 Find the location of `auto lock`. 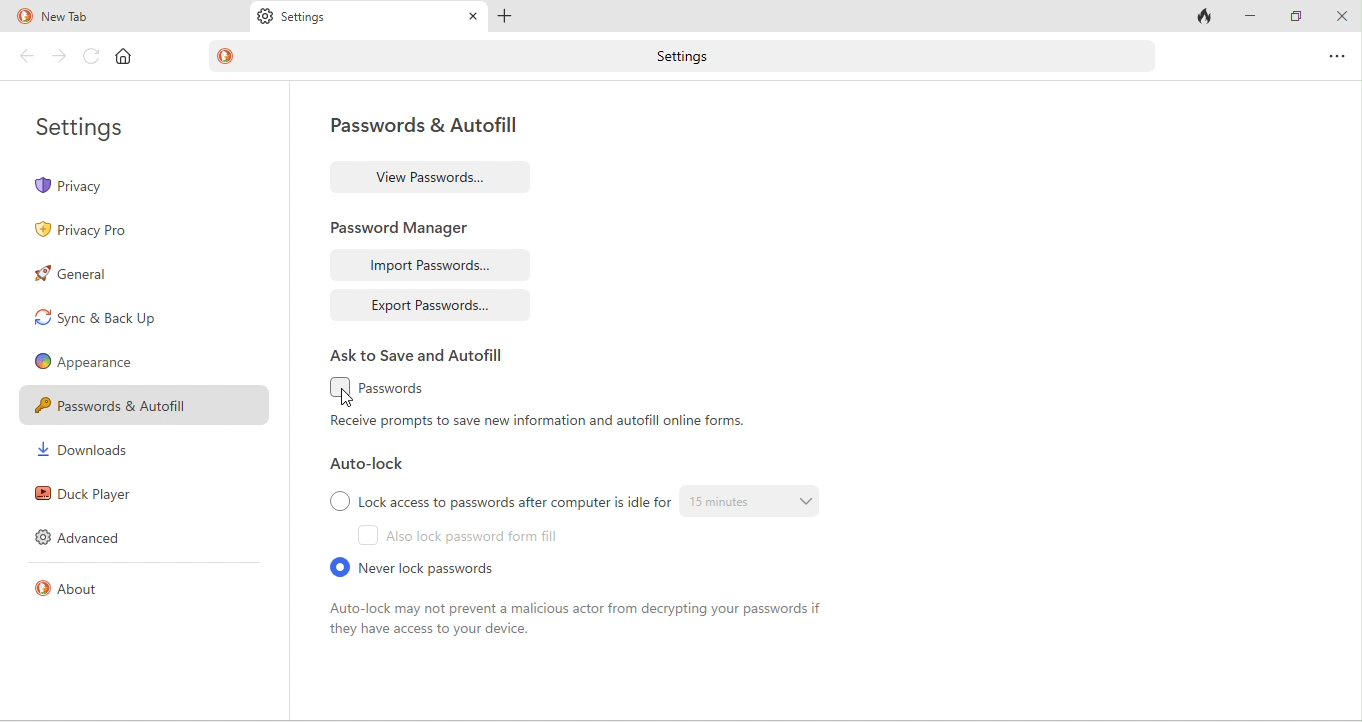

auto lock is located at coordinates (372, 467).